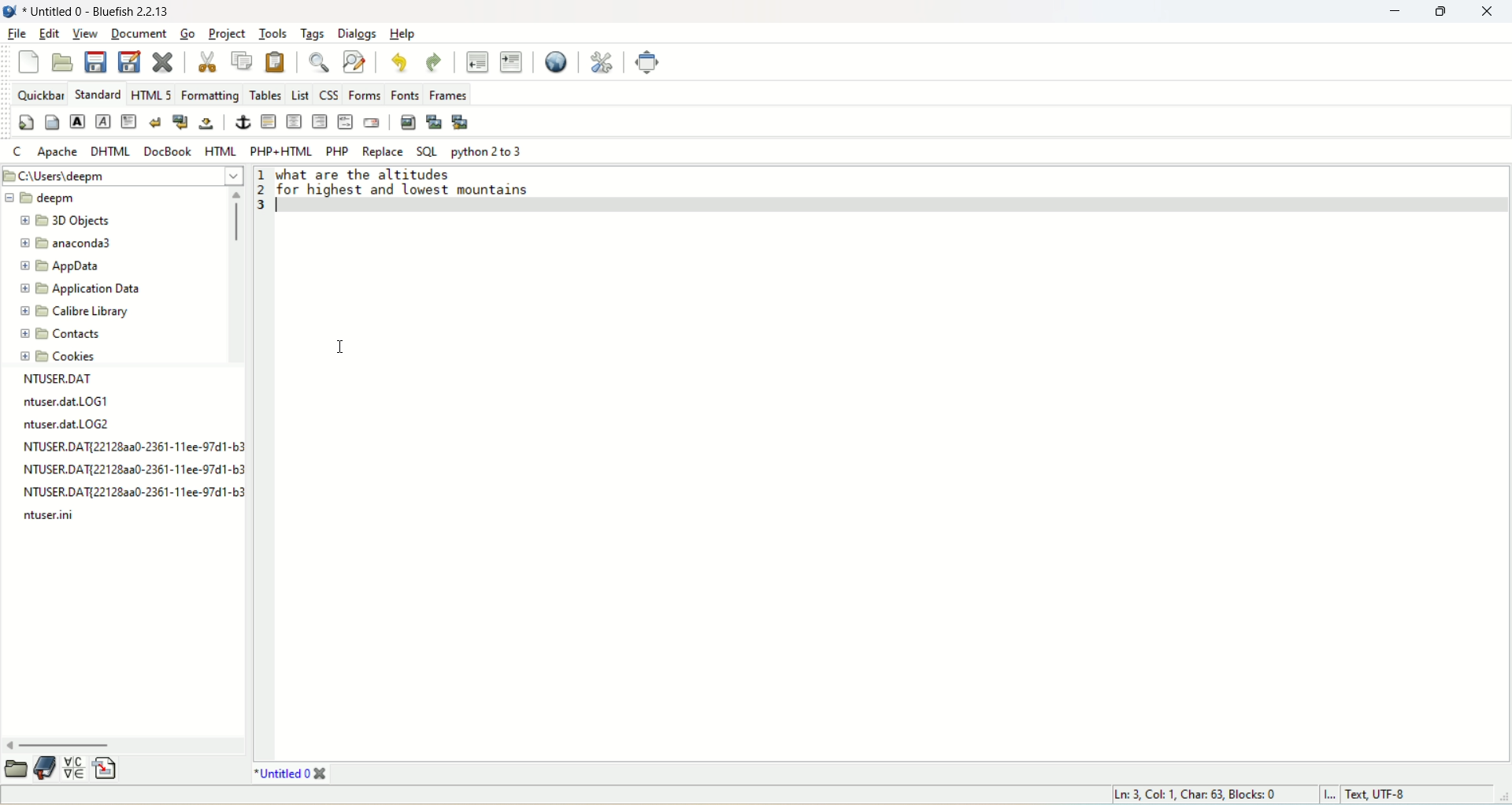 This screenshot has height=805, width=1512. Describe the element at coordinates (132, 447) in the screenshot. I see `NTUSER.DAT{221282a0-2361-11ee-97d1-b3` at that location.